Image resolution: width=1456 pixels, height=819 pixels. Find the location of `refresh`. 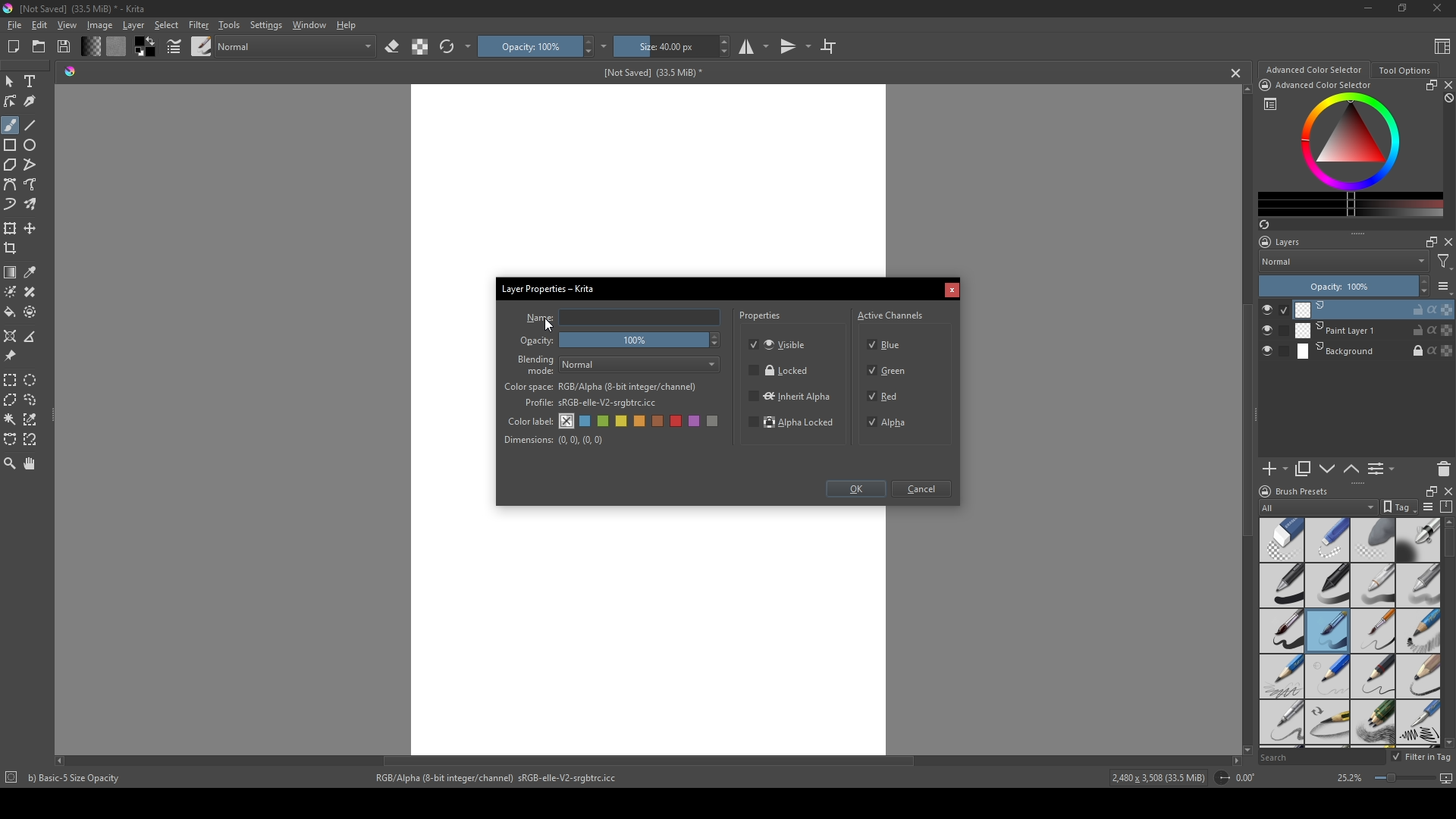

refresh is located at coordinates (1263, 224).